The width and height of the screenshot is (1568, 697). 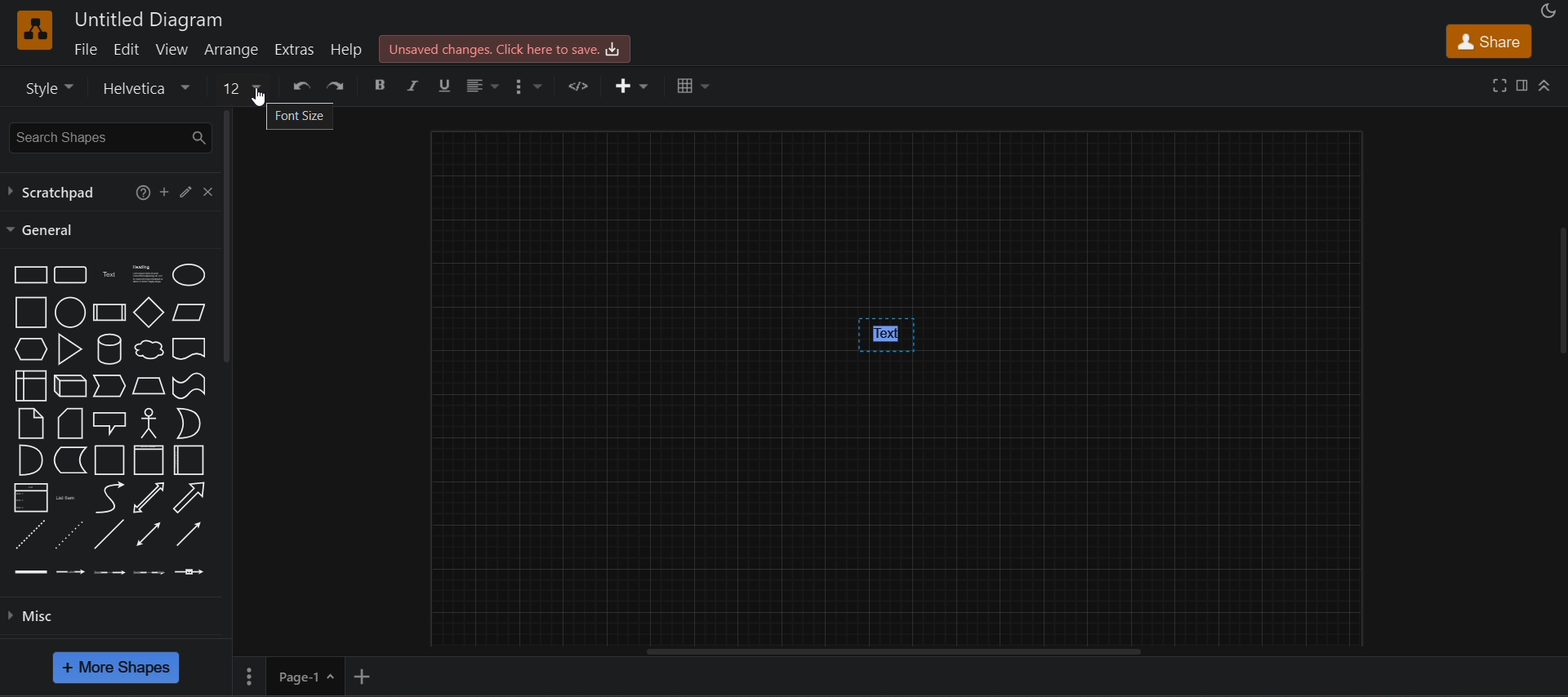 I want to click on horizontal scroll bar, so click(x=892, y=651).